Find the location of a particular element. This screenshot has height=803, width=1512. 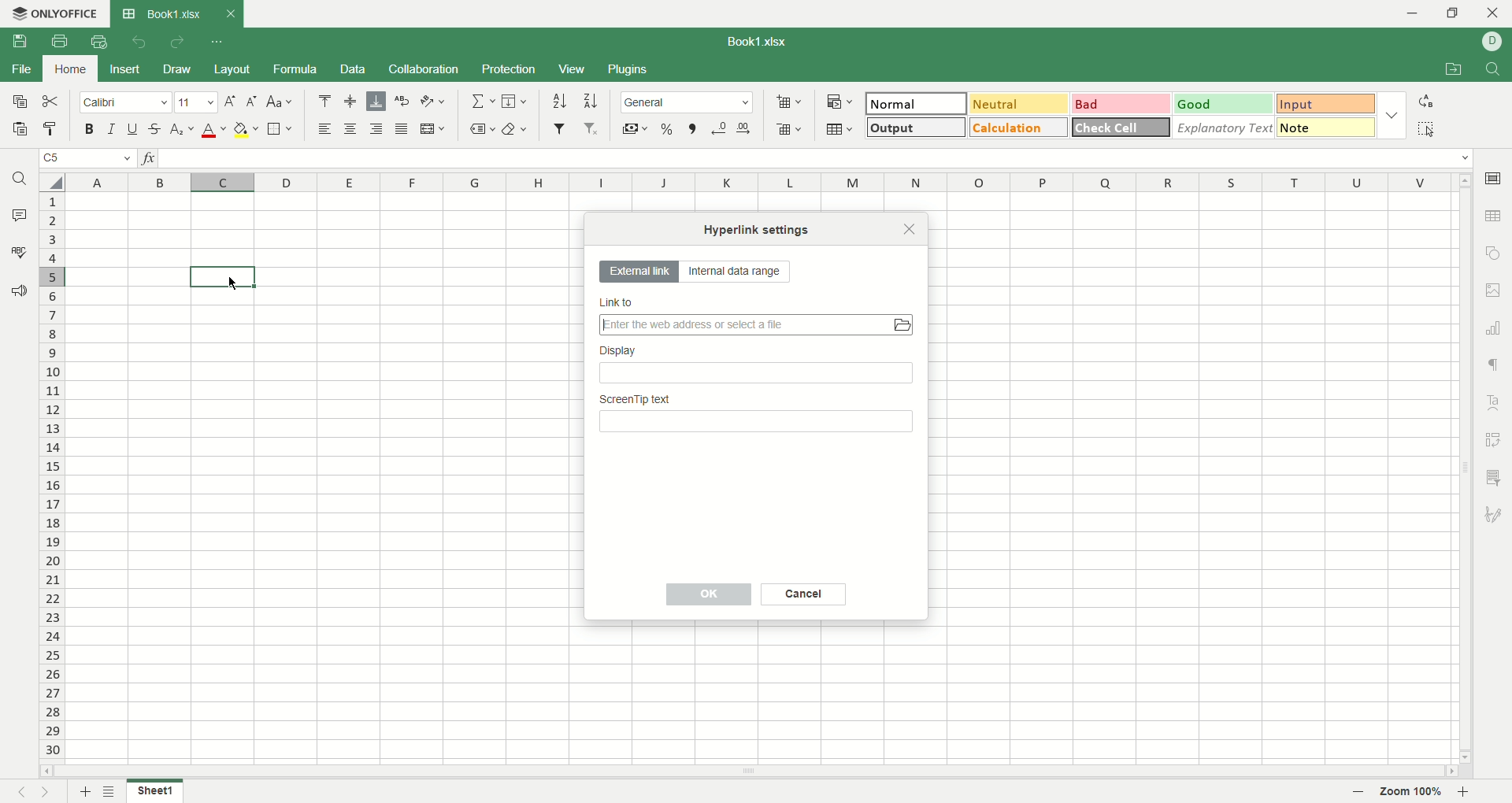

view is located at coordinates (571, 68).